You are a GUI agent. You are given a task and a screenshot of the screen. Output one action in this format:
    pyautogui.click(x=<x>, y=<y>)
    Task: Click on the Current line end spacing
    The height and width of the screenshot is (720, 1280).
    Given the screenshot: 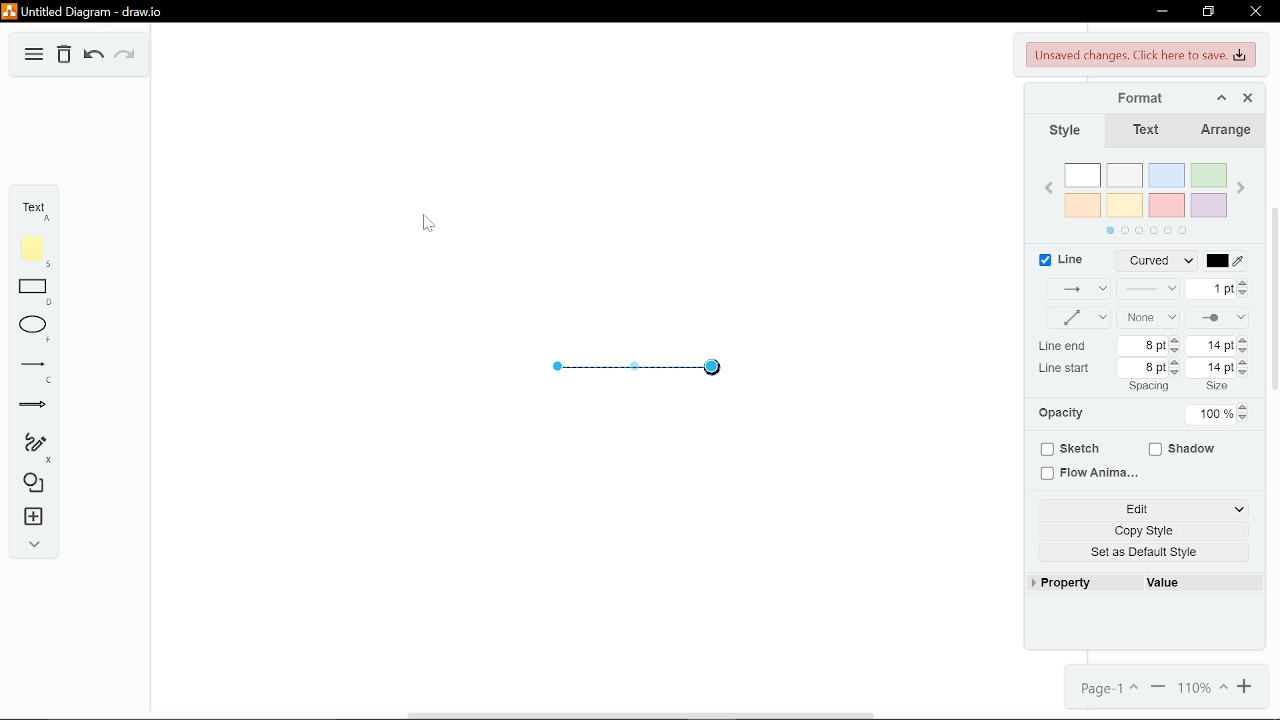 What is the action you would take?
    pyautogui.click(x=1140, y=346)
    